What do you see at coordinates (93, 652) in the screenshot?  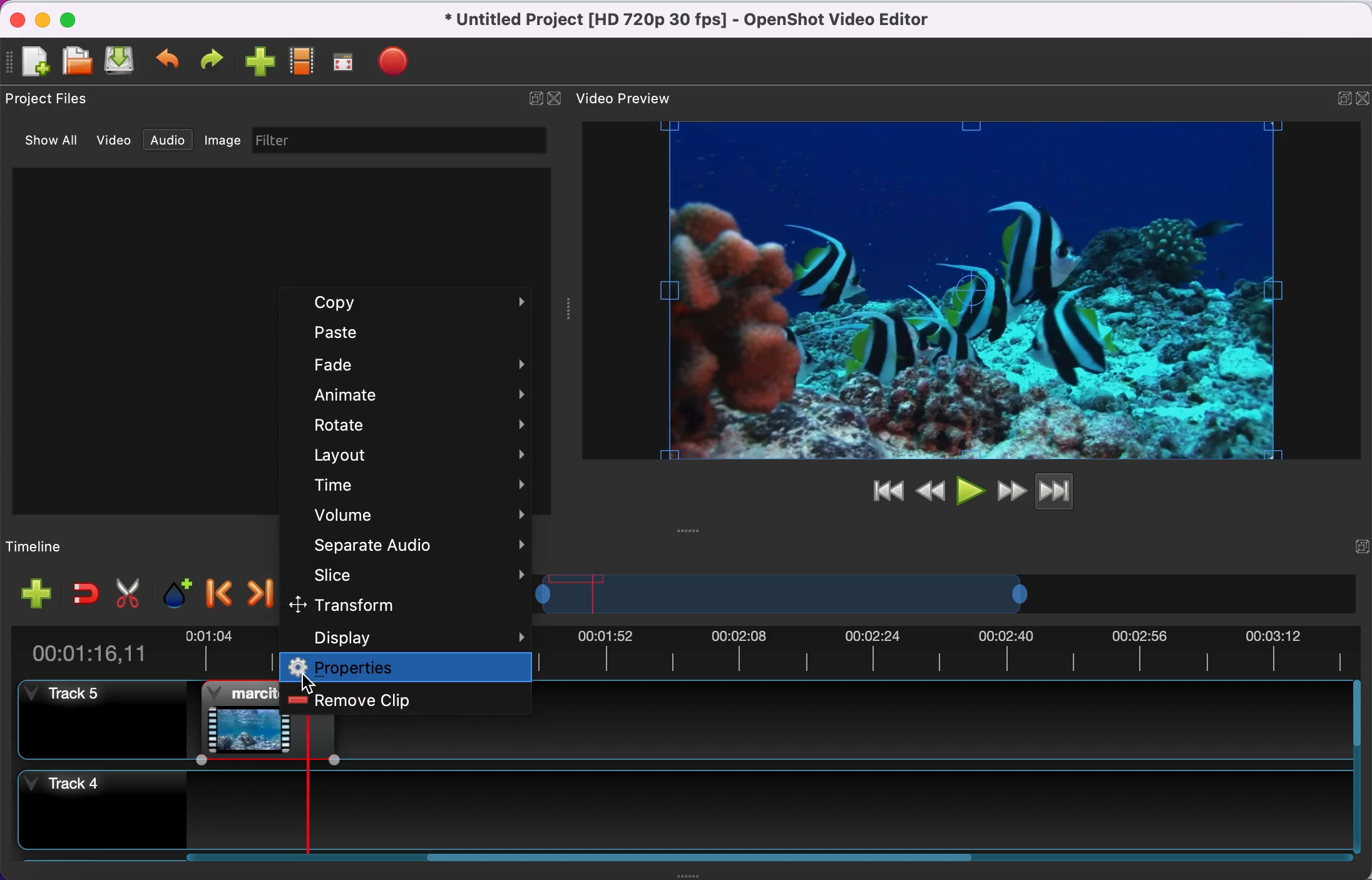 I see `time duration` at bounding box center [93, 652].